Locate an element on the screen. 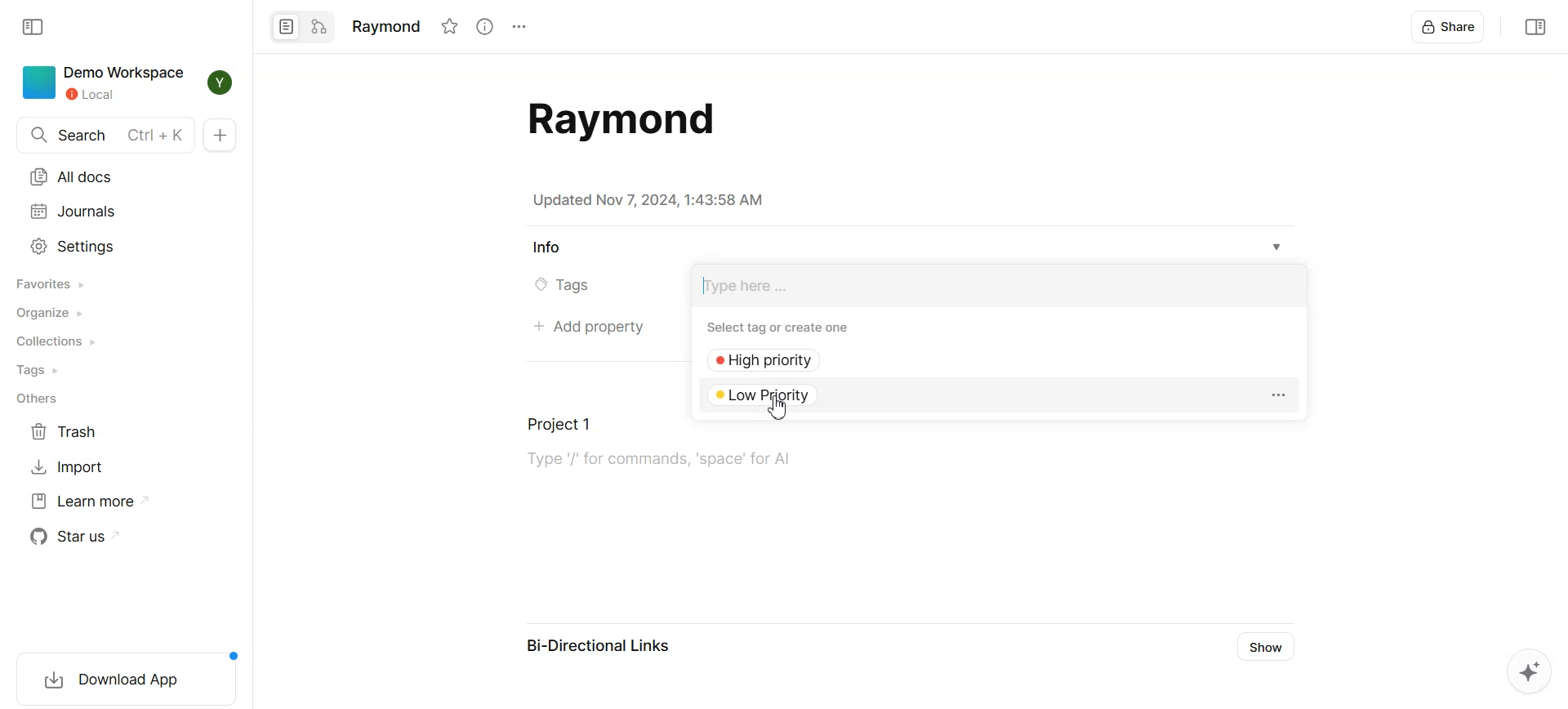  Favorites is located at coordinates (52, 283).